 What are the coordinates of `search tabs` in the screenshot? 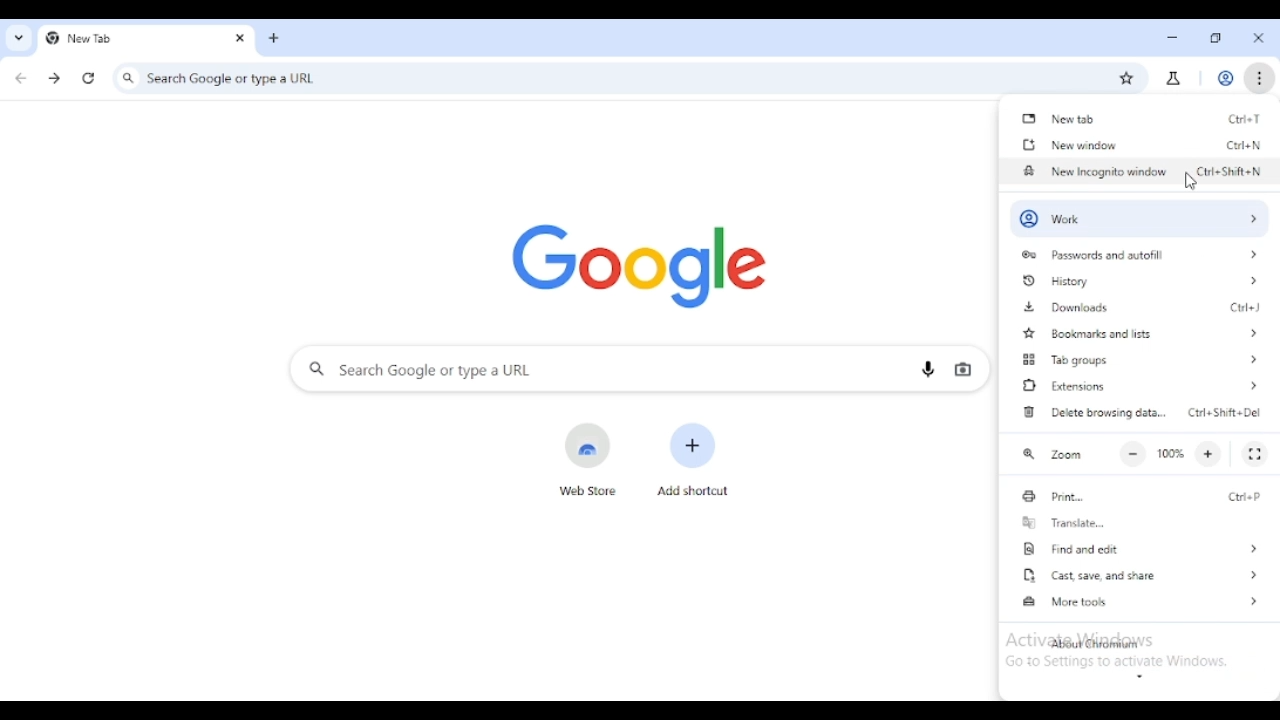 It's located at (18, 38).